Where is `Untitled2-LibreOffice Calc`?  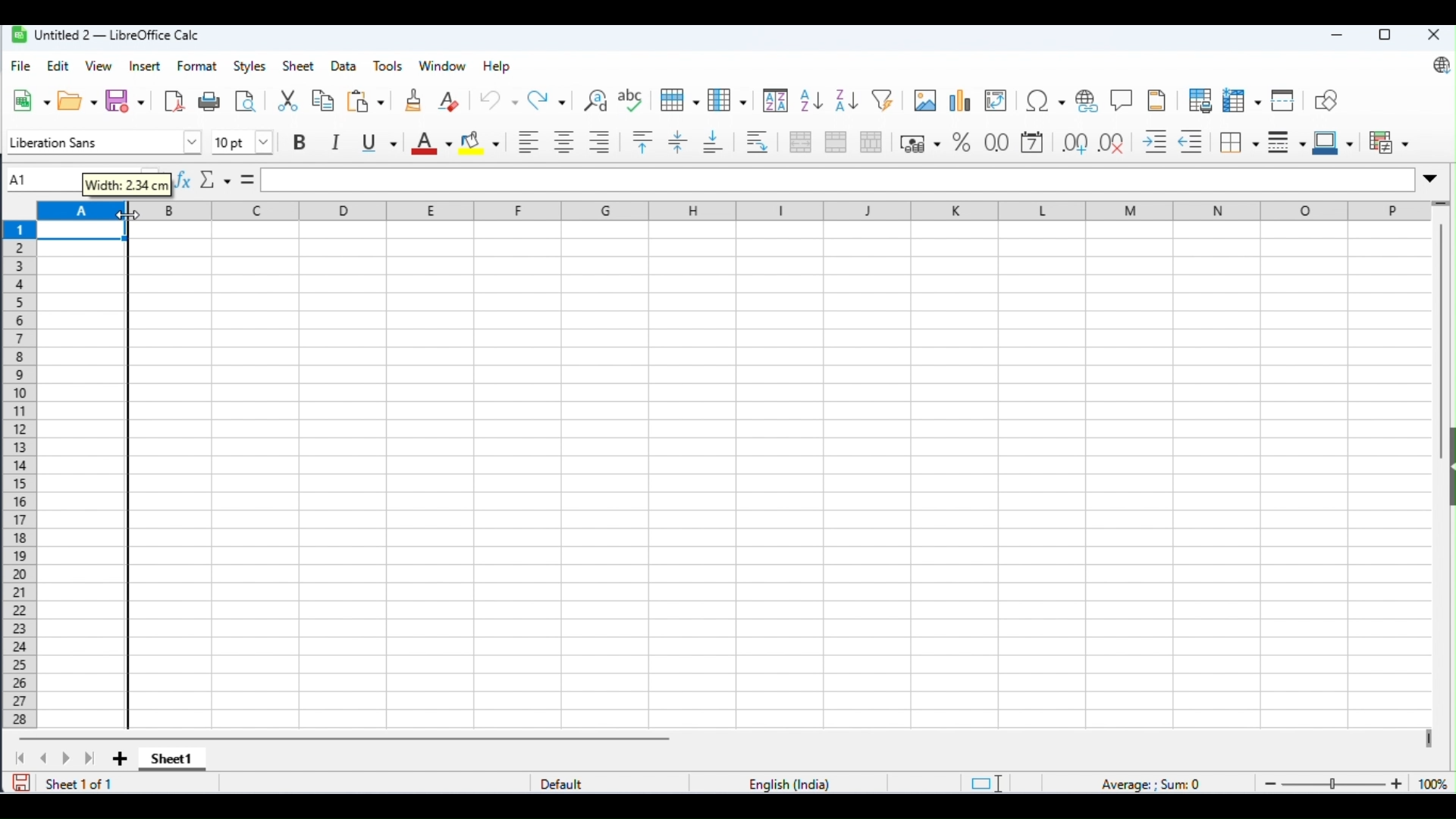
Untitled2-LibreOffice Calc is located at coordinates (107, 33).